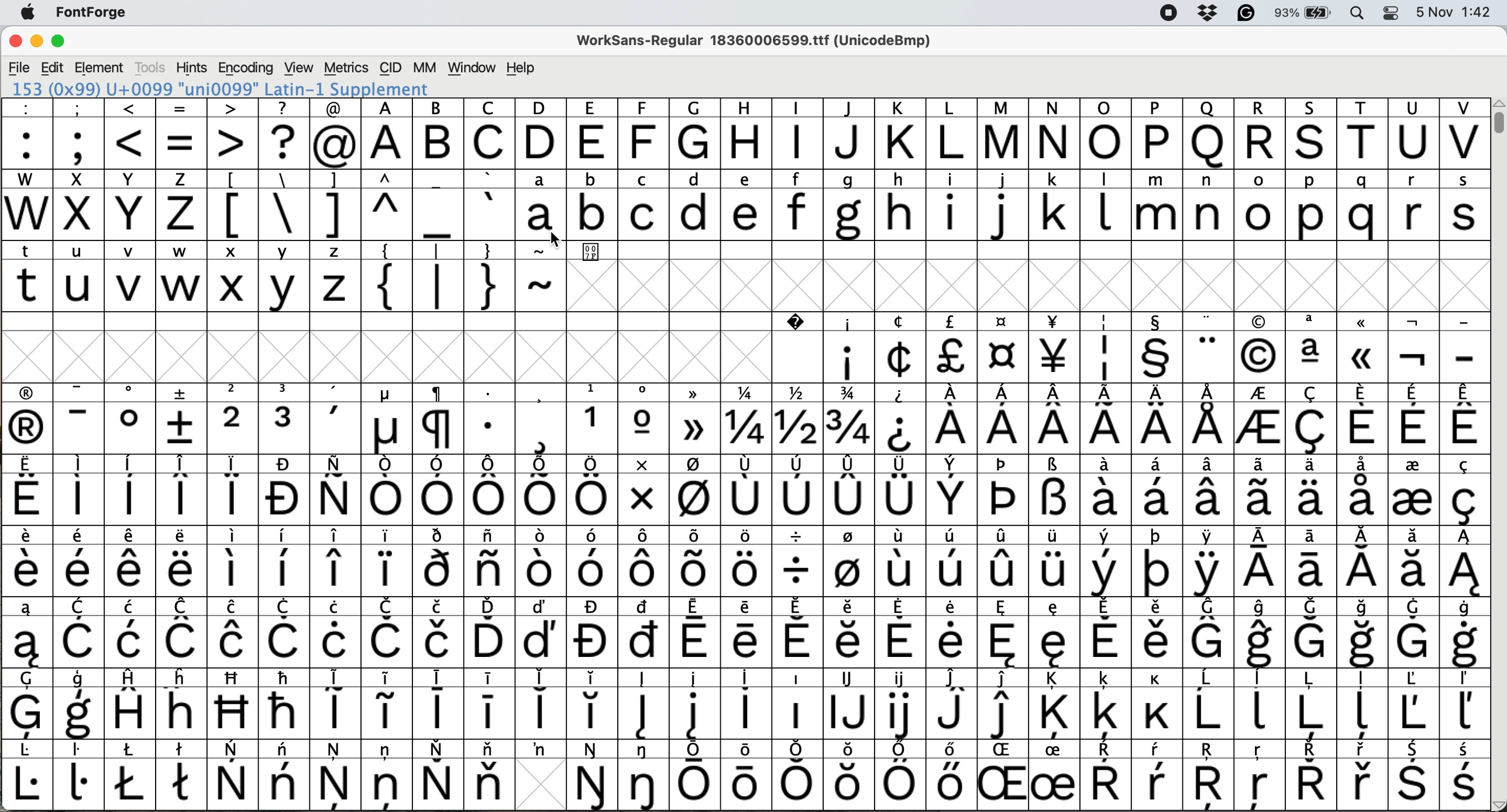  What do you see at coordinates (335, 490) in the screenshot?
I see `symbol` at bounding box center [335, 490].